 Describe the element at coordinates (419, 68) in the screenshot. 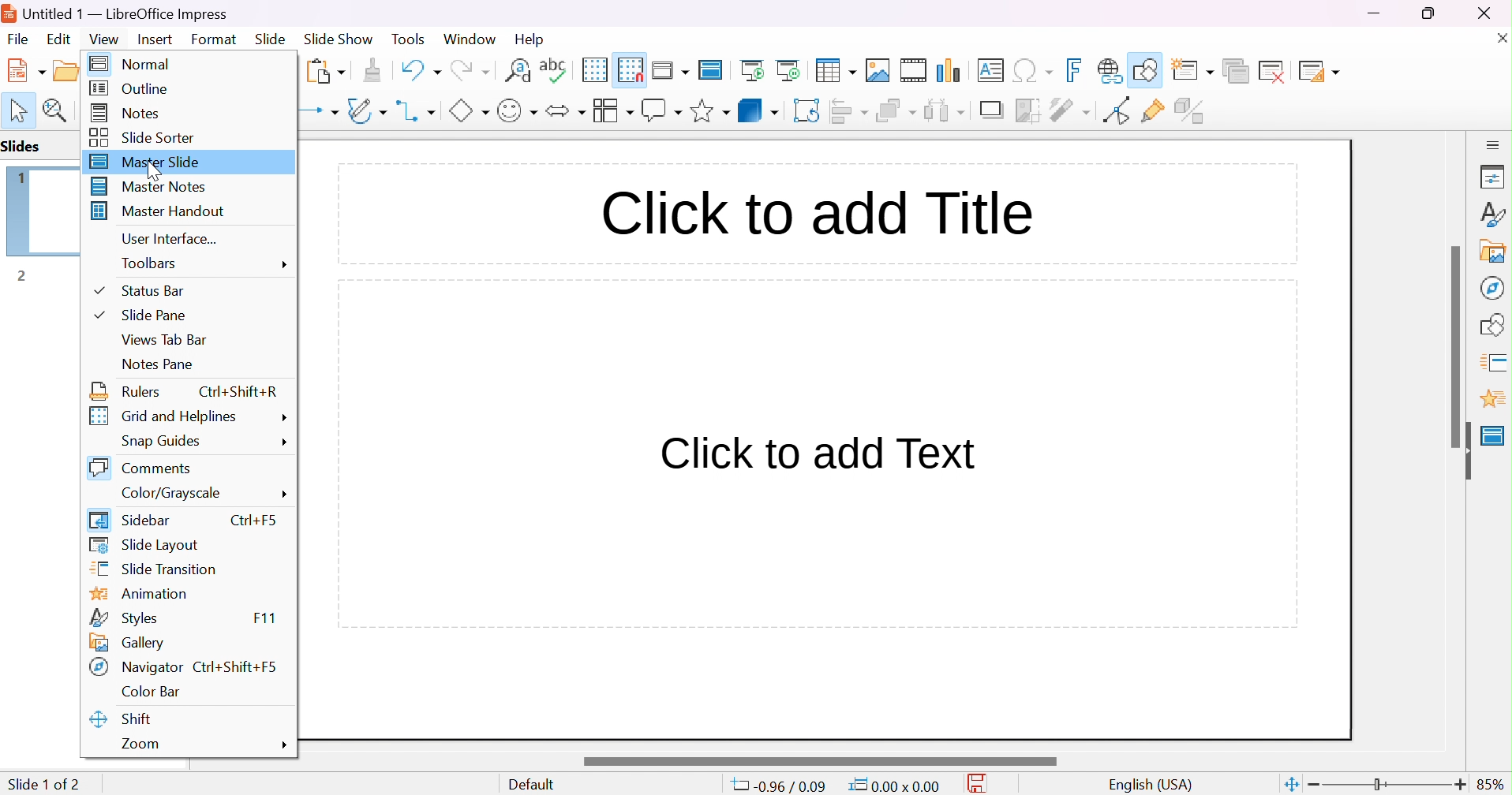

I see `undo` at that location.